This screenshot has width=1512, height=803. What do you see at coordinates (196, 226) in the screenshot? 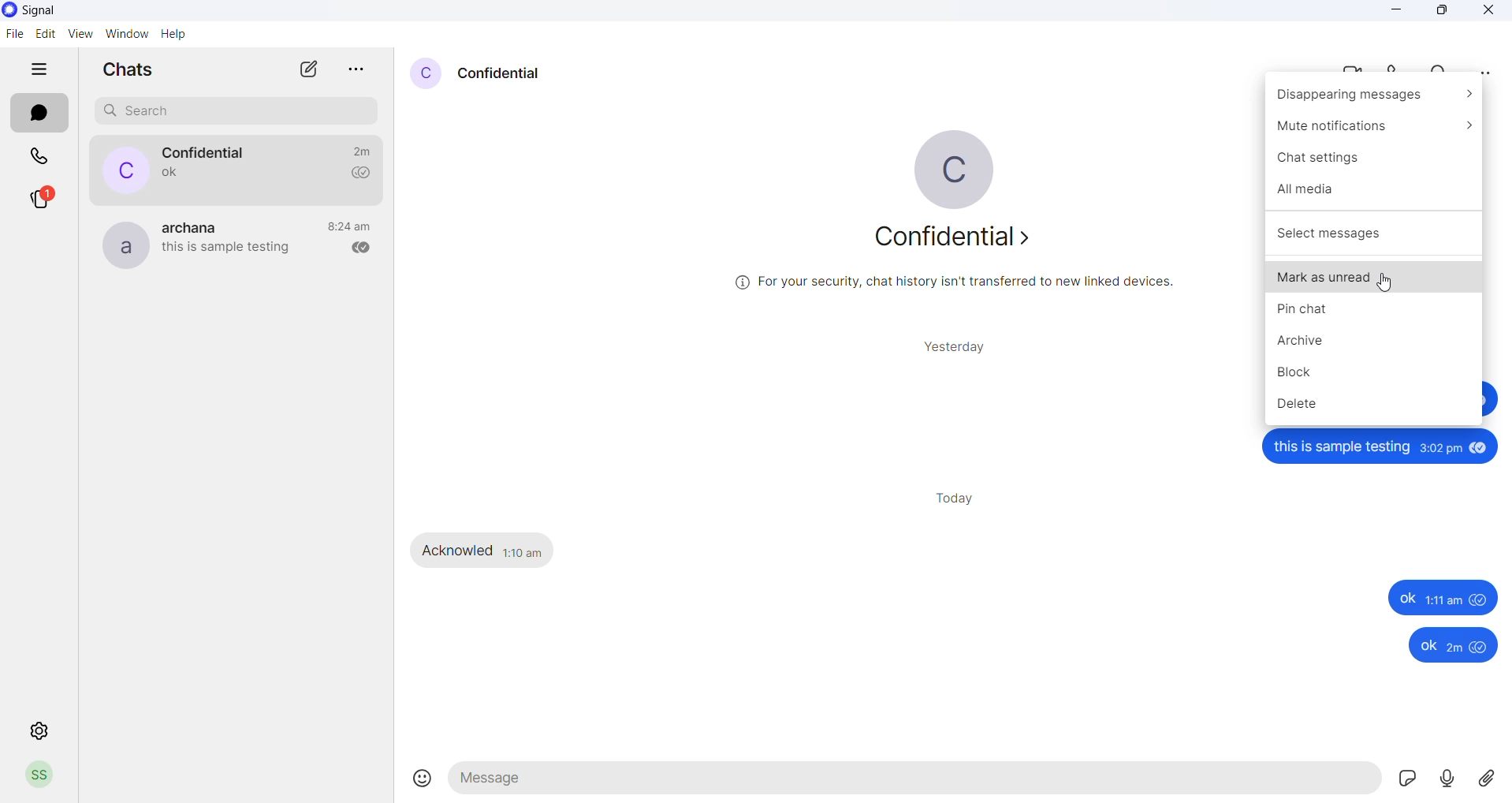
I see `contact name` at bounding box center [196, 226].